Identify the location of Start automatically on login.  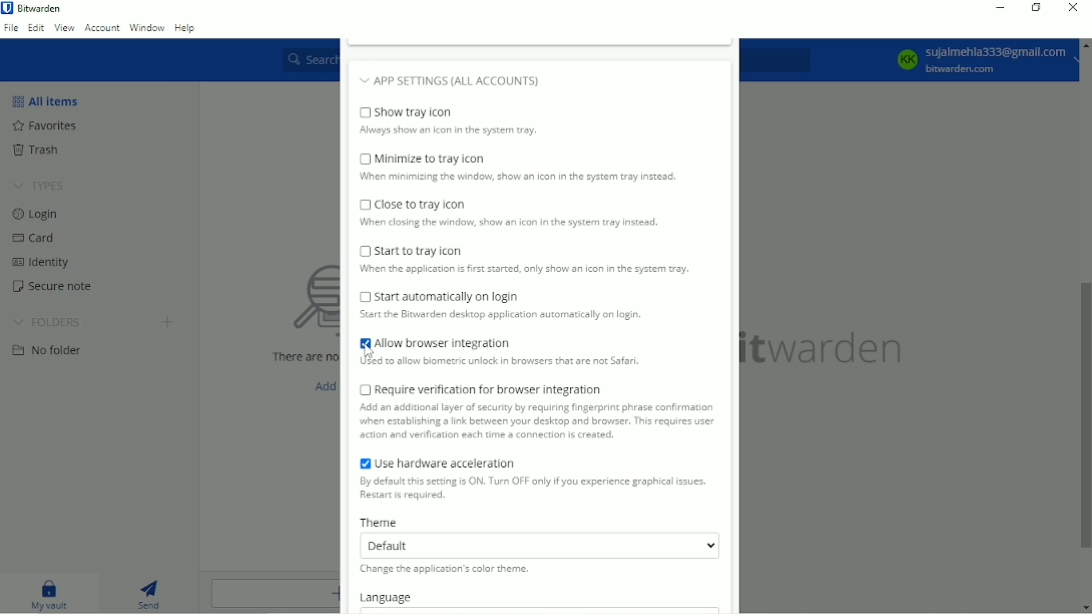
(440, 297).